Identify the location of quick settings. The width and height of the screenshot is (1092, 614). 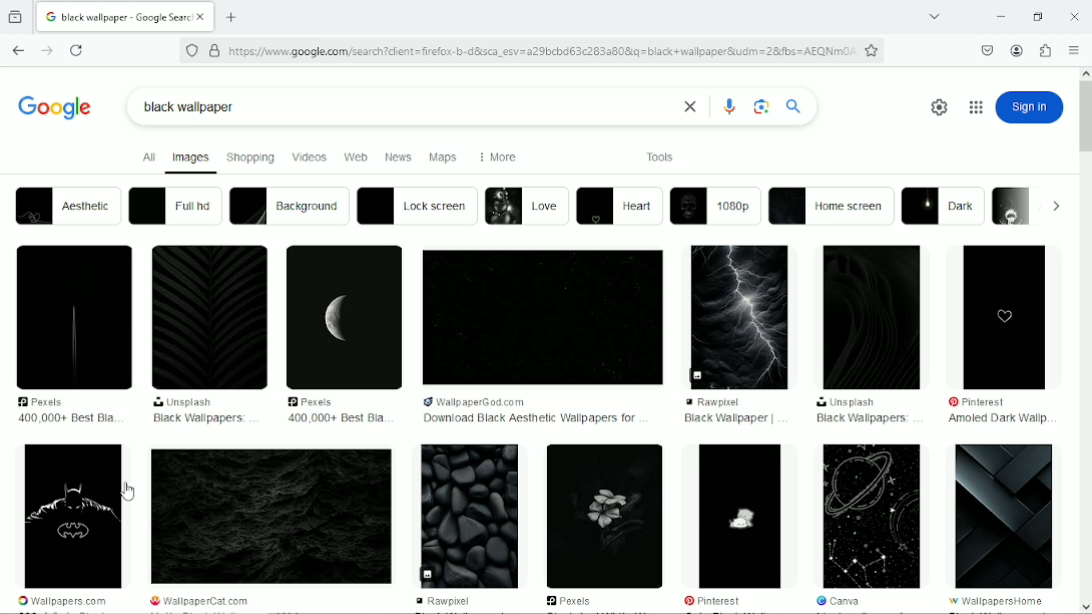
(936, 107).